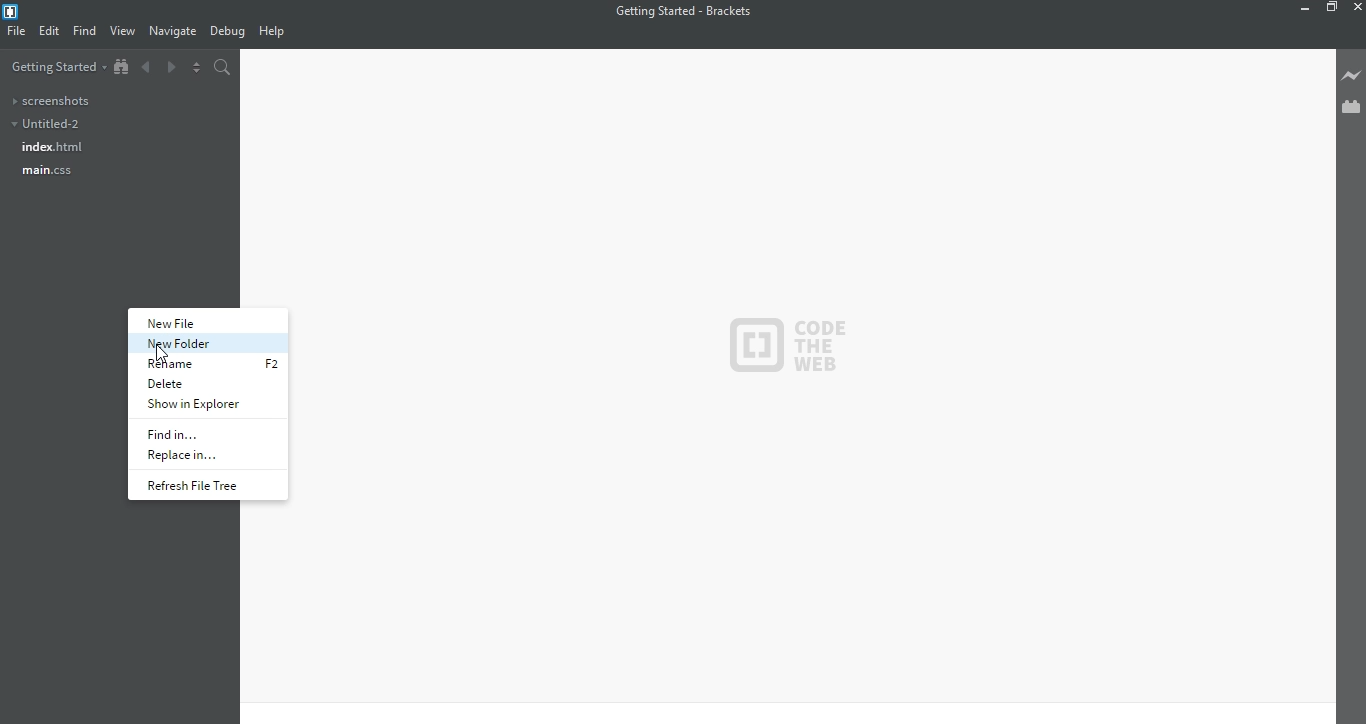  I want to click on forward, so click(172, 67).